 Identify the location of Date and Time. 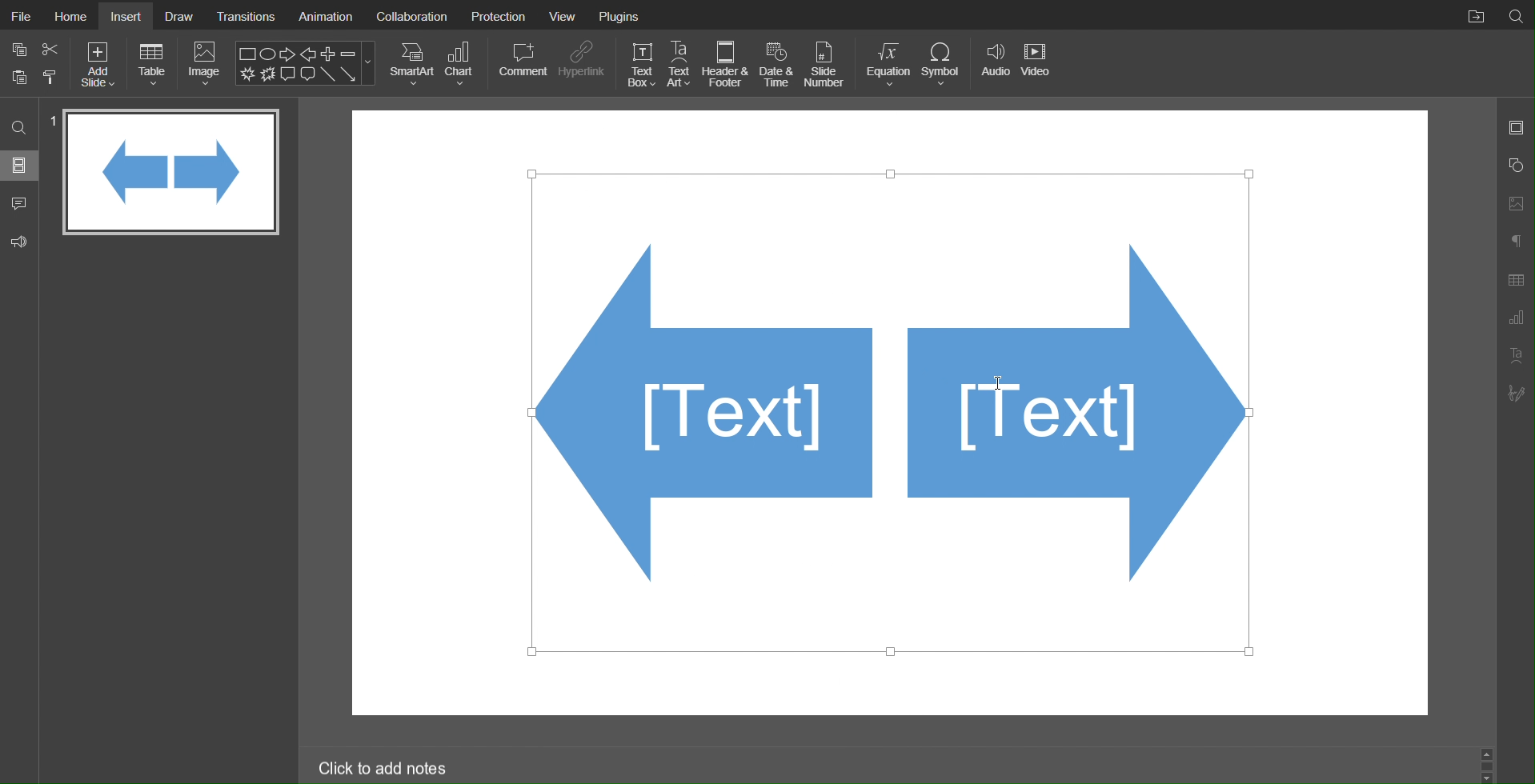
(776, 64).